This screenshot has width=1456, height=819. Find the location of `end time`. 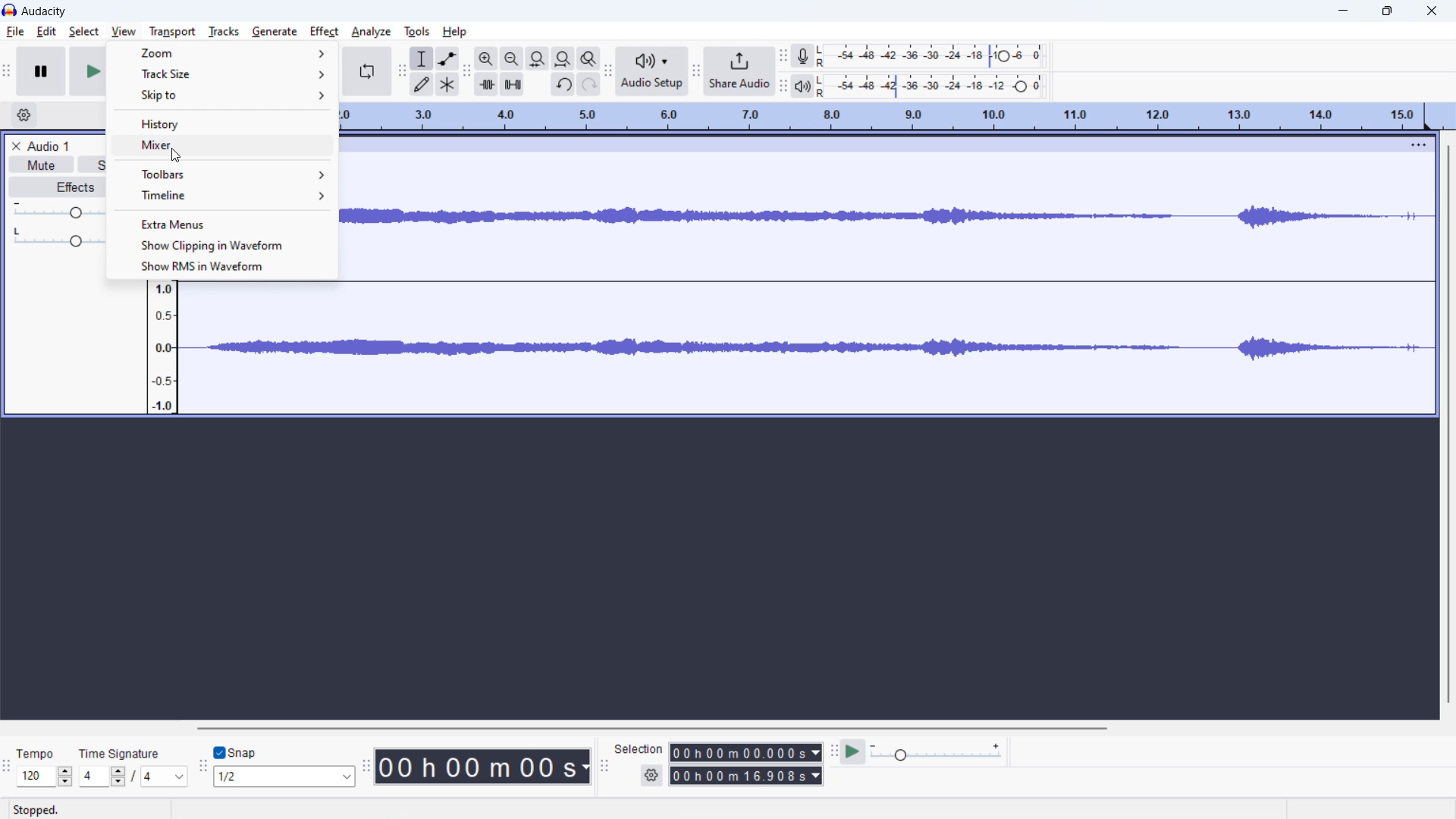

end time is located at coordinates (745, 776).